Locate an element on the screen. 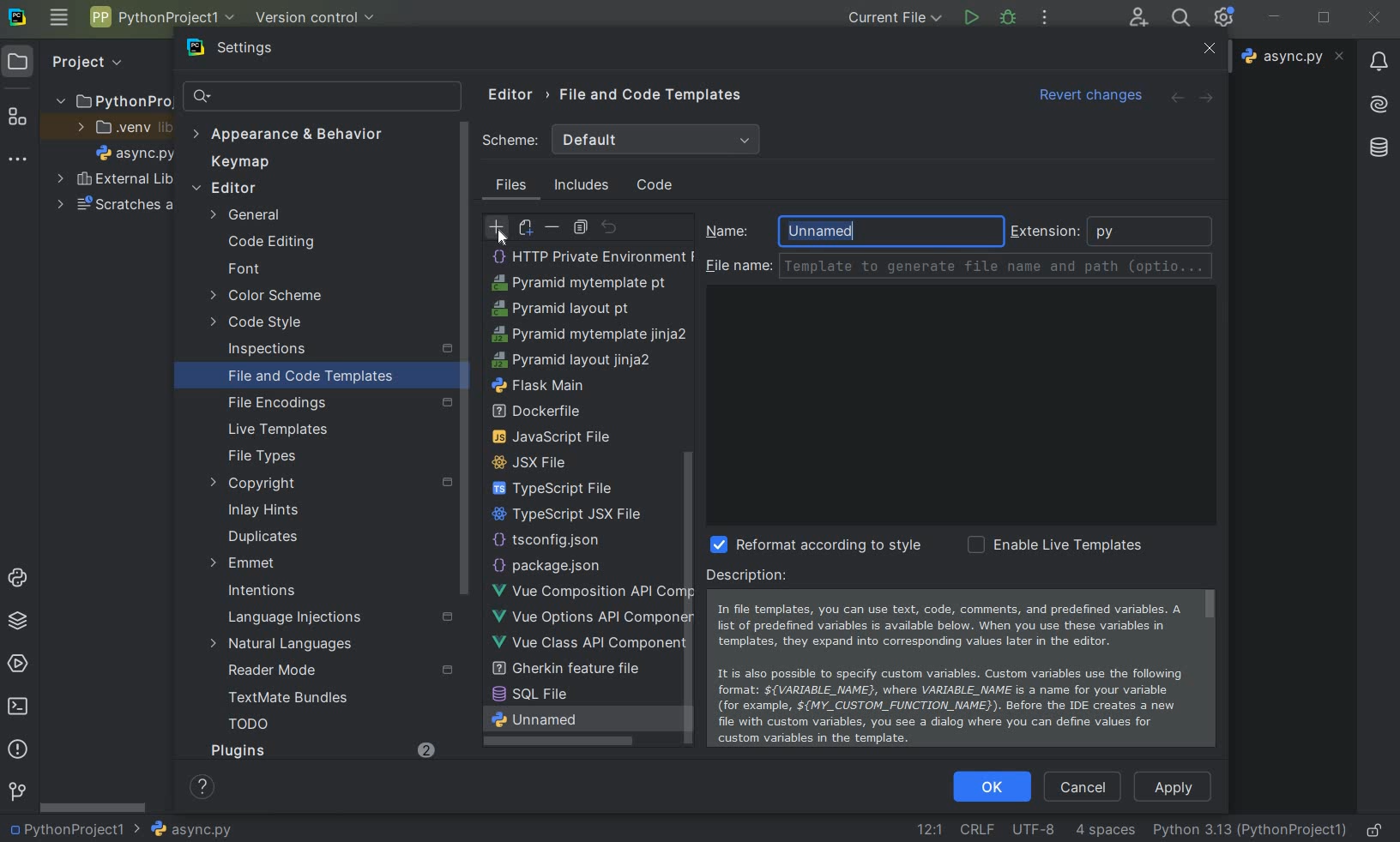  problems is located at coordinates (17, 748).